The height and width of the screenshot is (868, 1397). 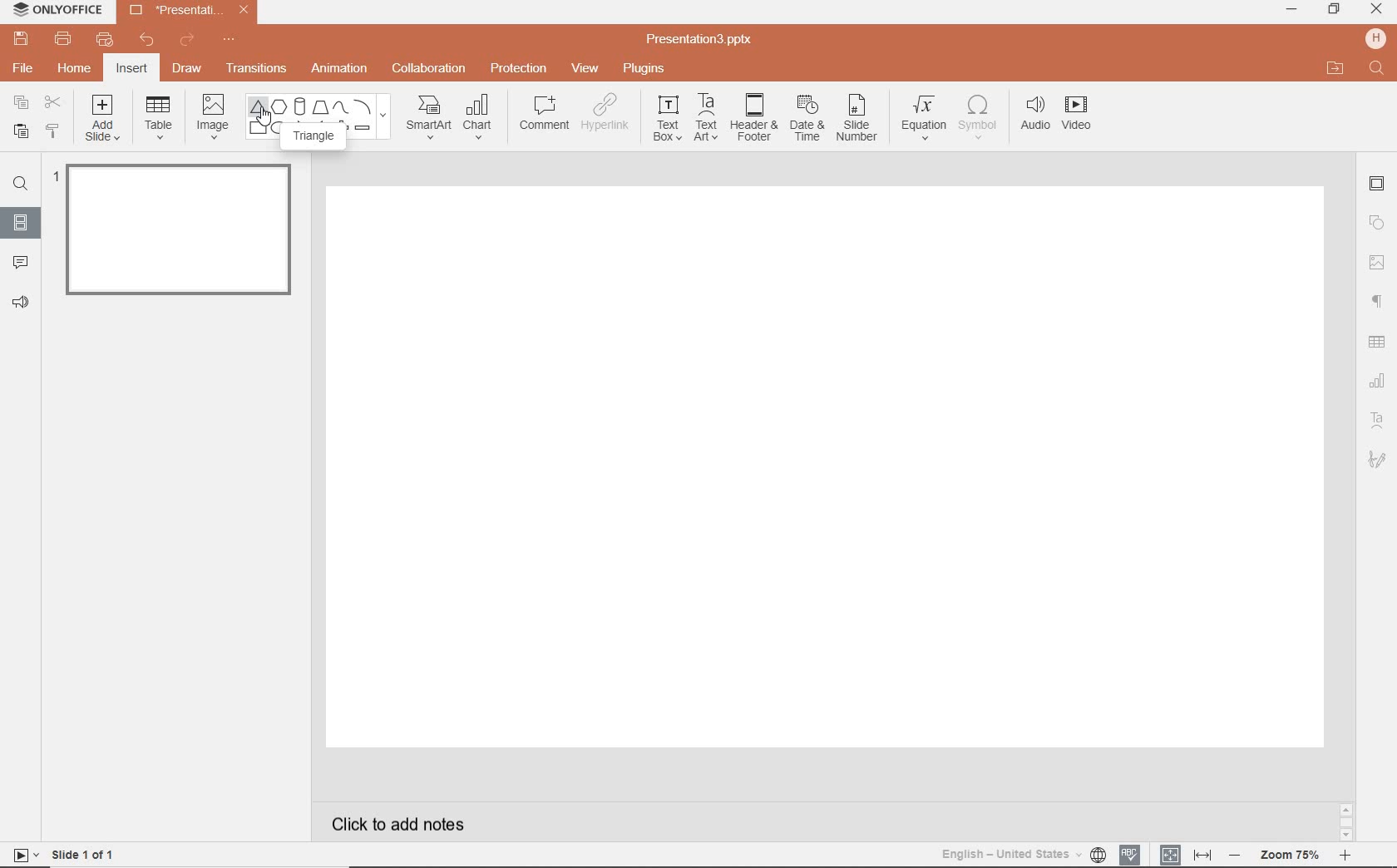 What do you see at coordinates (1237, 856) in the screenshot?
I see `zoom out` at bounding box center [1237, 856].